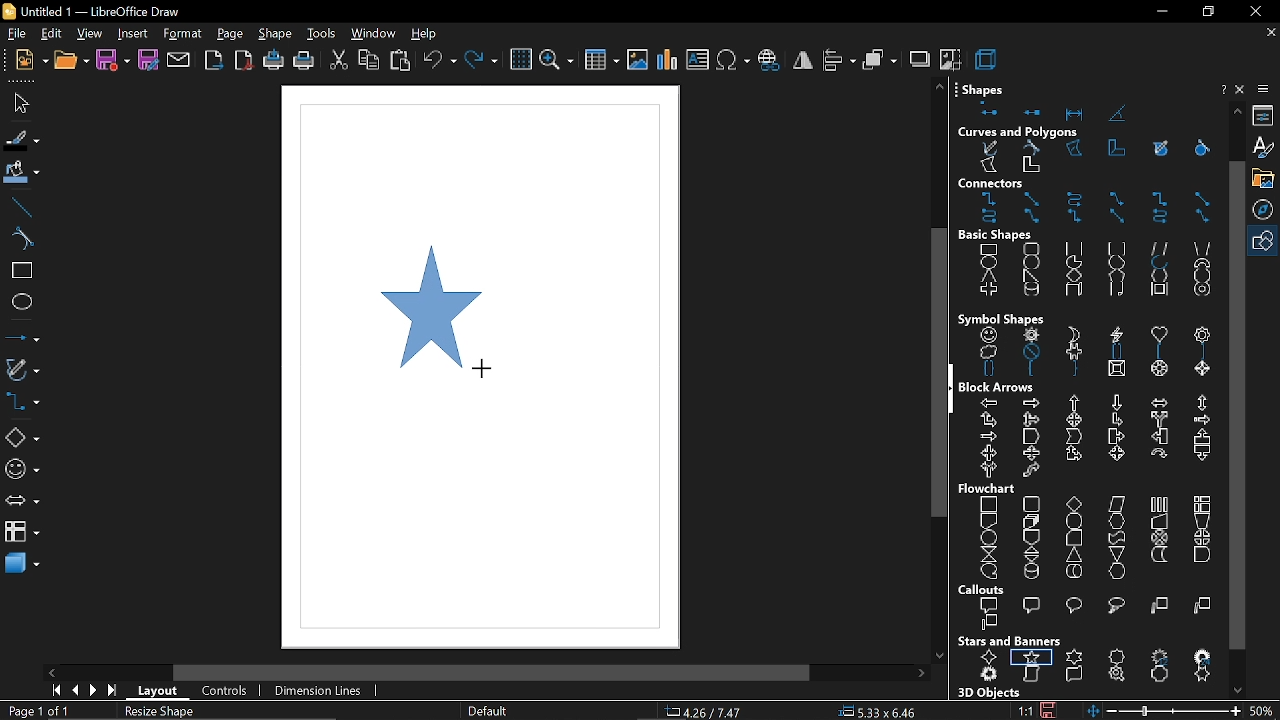  I want to click on help , so click(1222, 89).